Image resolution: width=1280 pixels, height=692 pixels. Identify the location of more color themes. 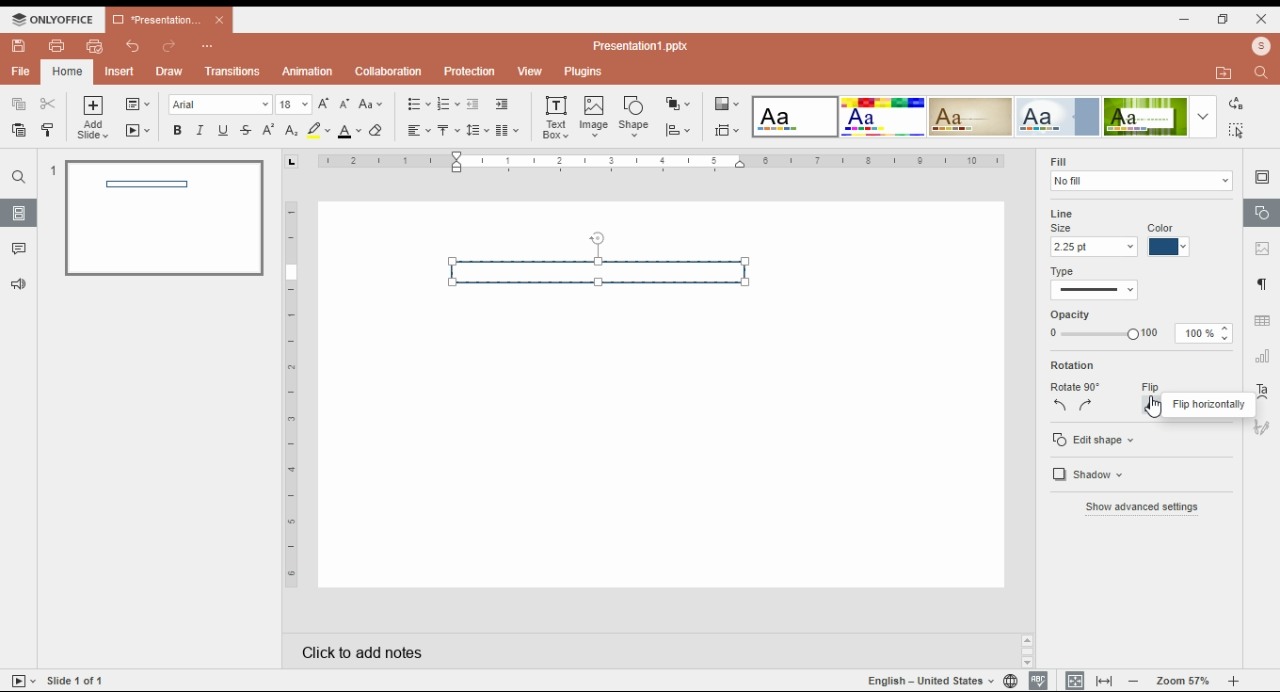
(1203, 116).